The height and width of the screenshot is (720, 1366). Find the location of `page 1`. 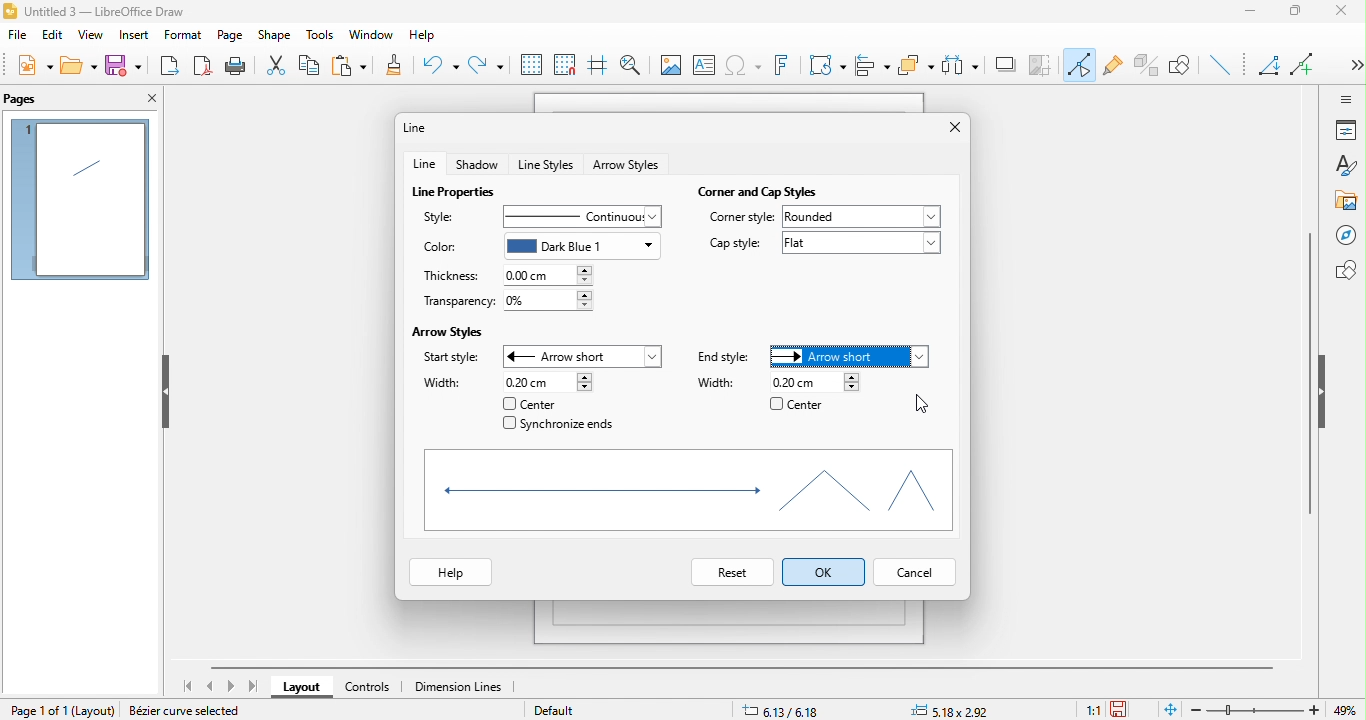

page 1 is located at coordinates (80, 200).